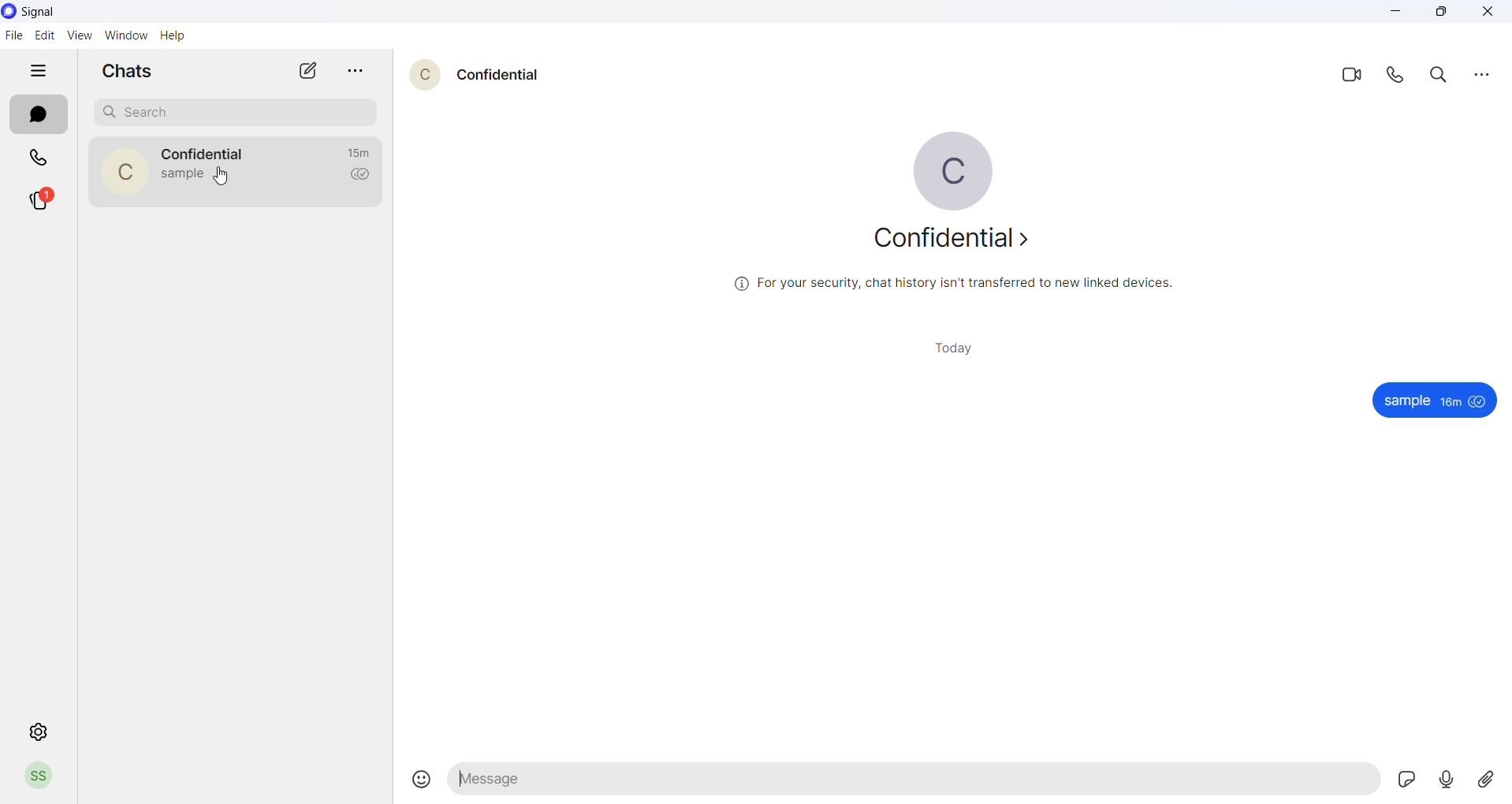 Image resolution: width=1512 pixels, height=804 pixels. I want to click on options, so click(1480, 77).